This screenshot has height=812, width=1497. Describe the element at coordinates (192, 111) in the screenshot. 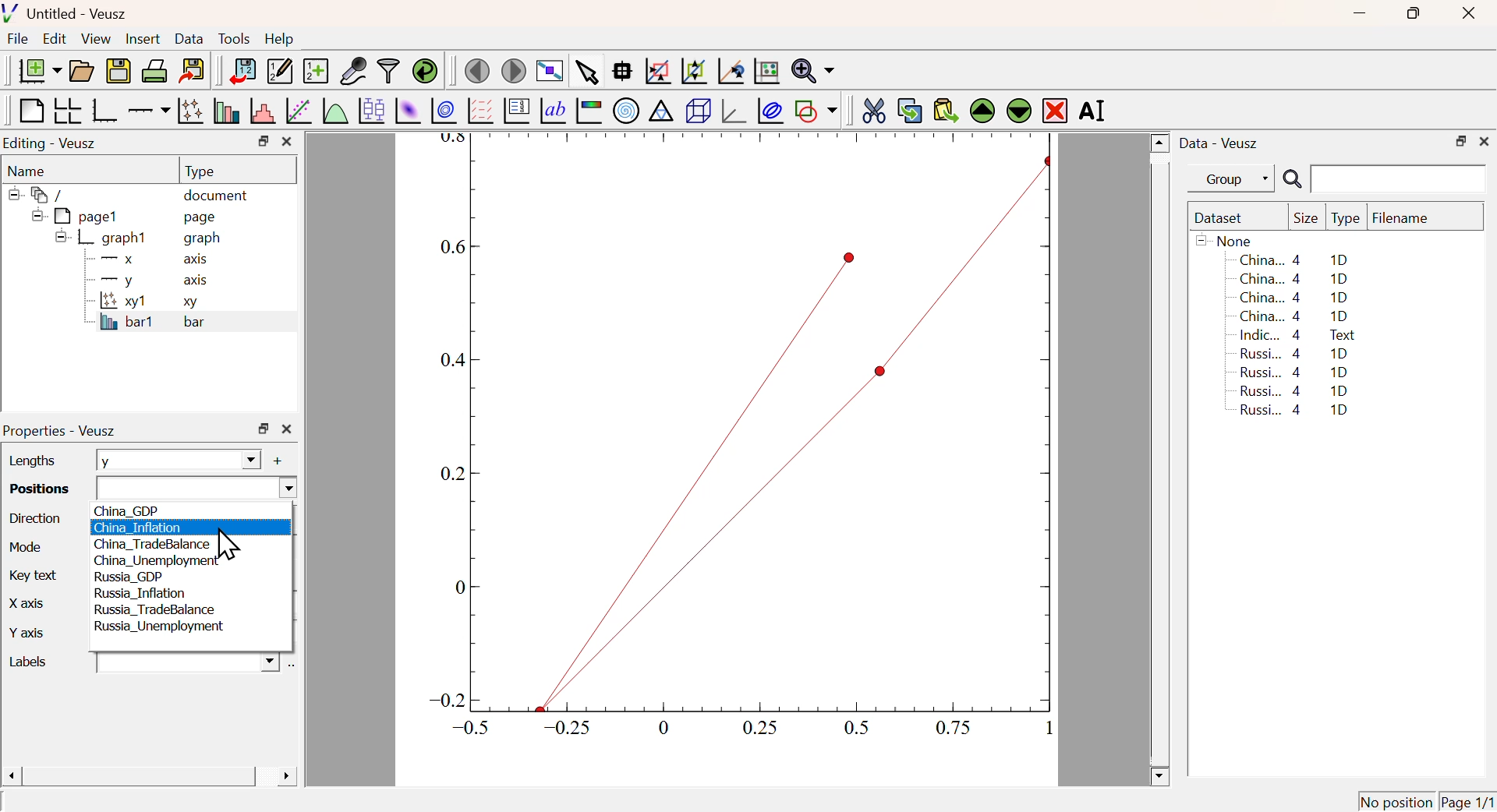

I see `Plot points with lines and errorbars` at that location.